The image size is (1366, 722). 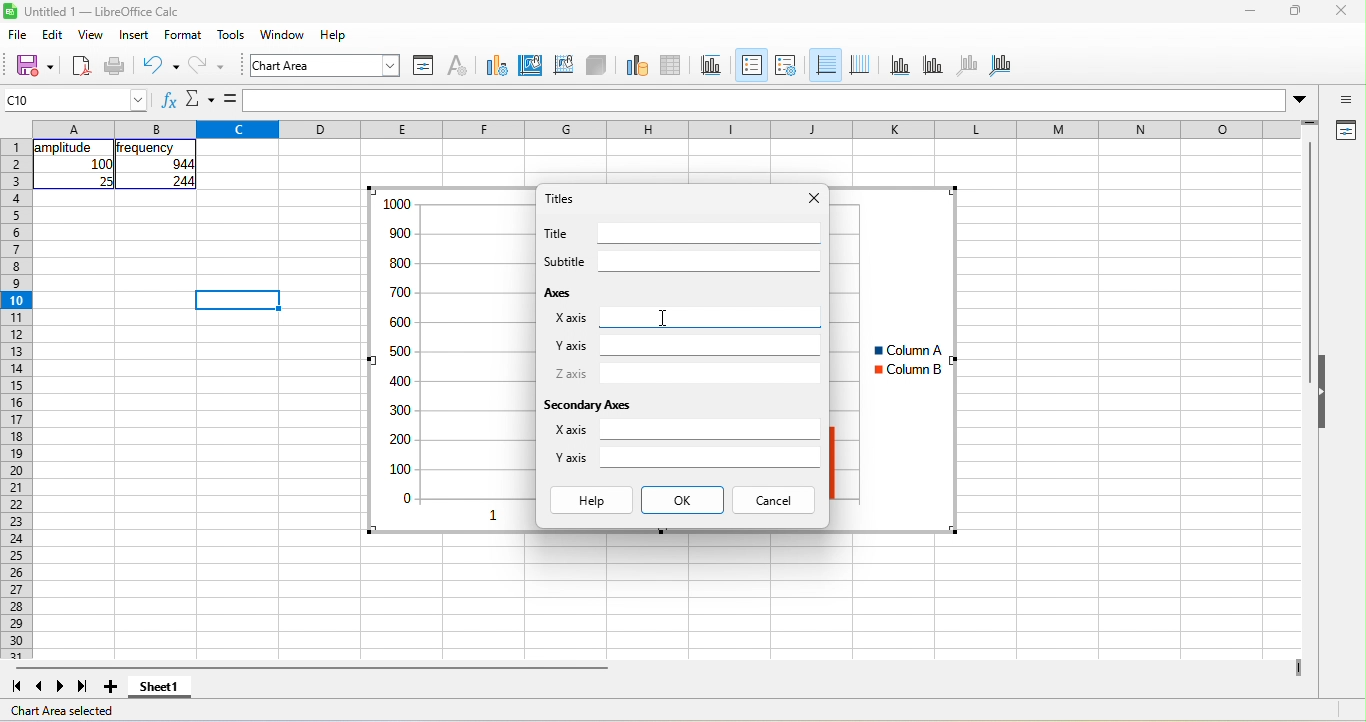 I want to click on data range, so click(x=637, y=66).